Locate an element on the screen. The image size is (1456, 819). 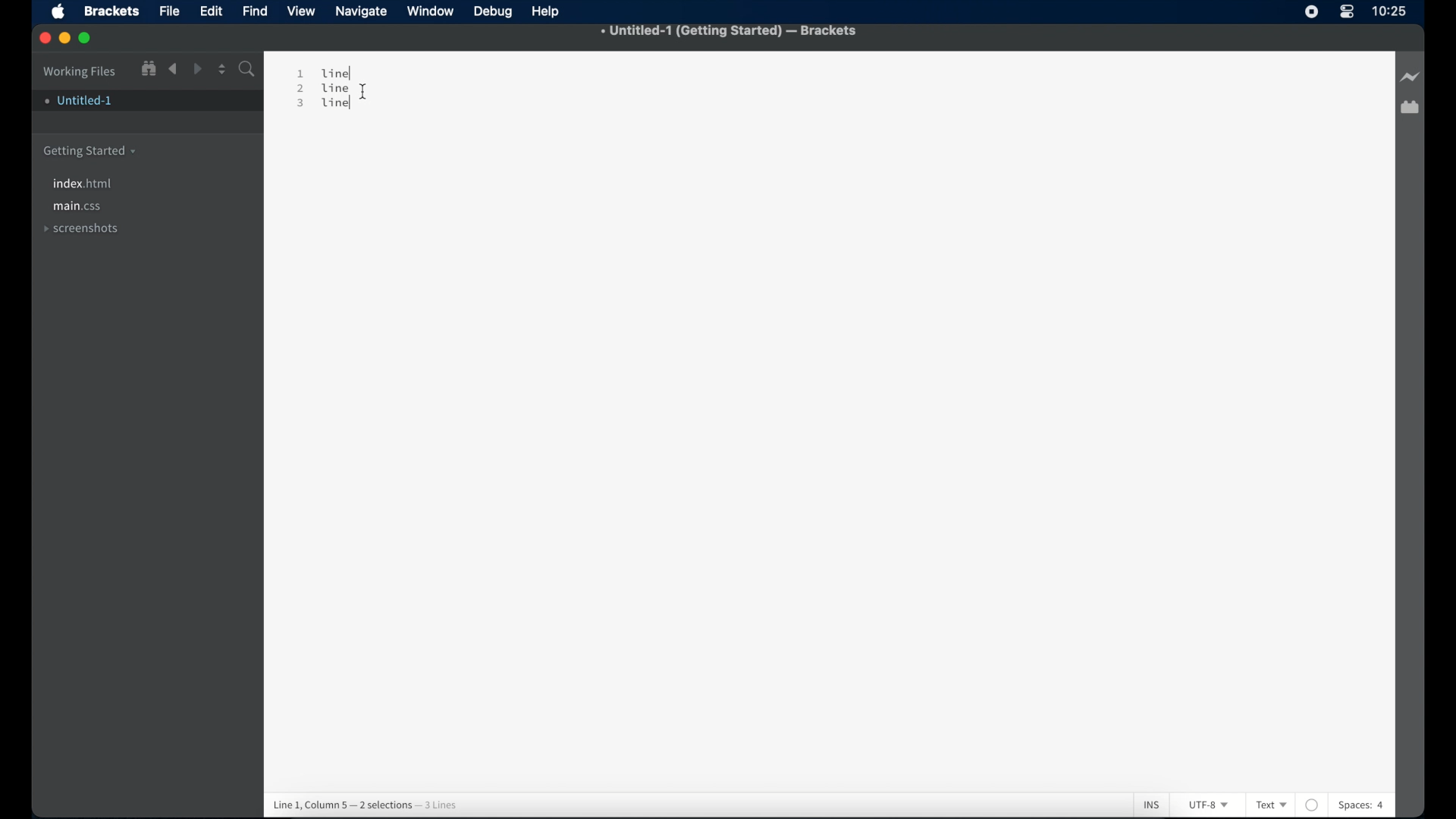
navigate is located at coordinates (362, 12).